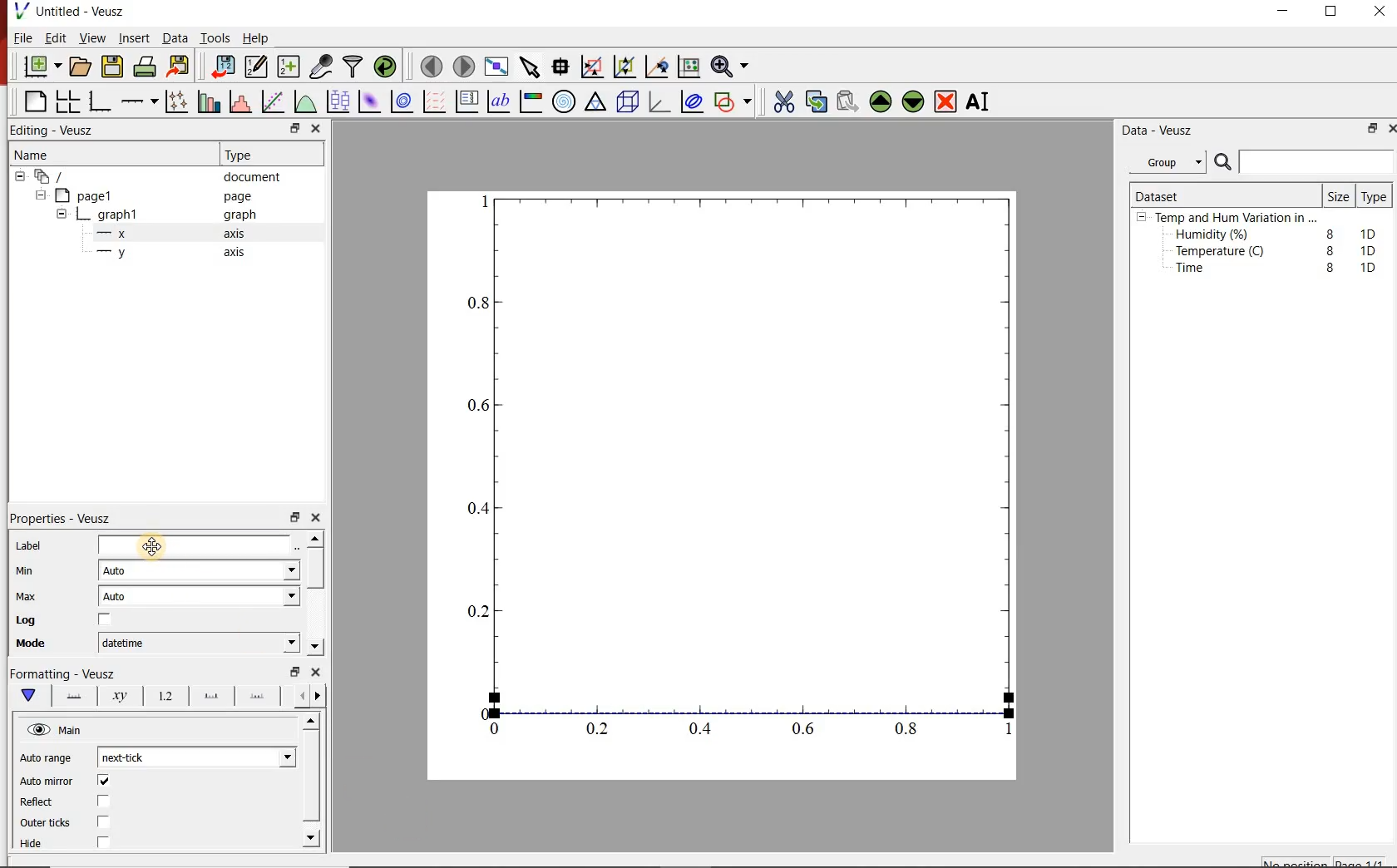  Describe the element at coordinates (496, 728) in the screenshot. I see `0` at that location.